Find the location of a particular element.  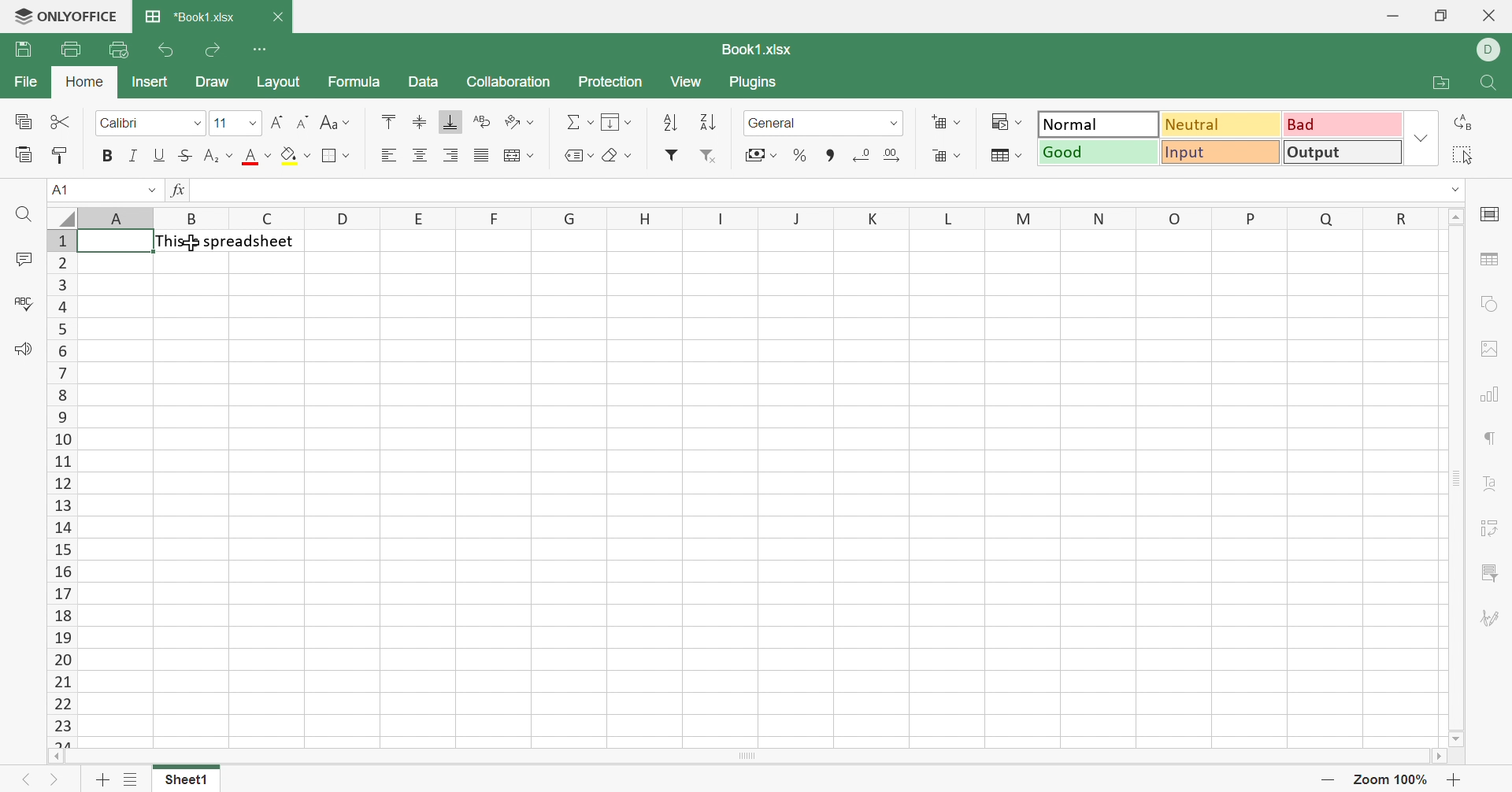

Close is located at coordinates (1489, 16).